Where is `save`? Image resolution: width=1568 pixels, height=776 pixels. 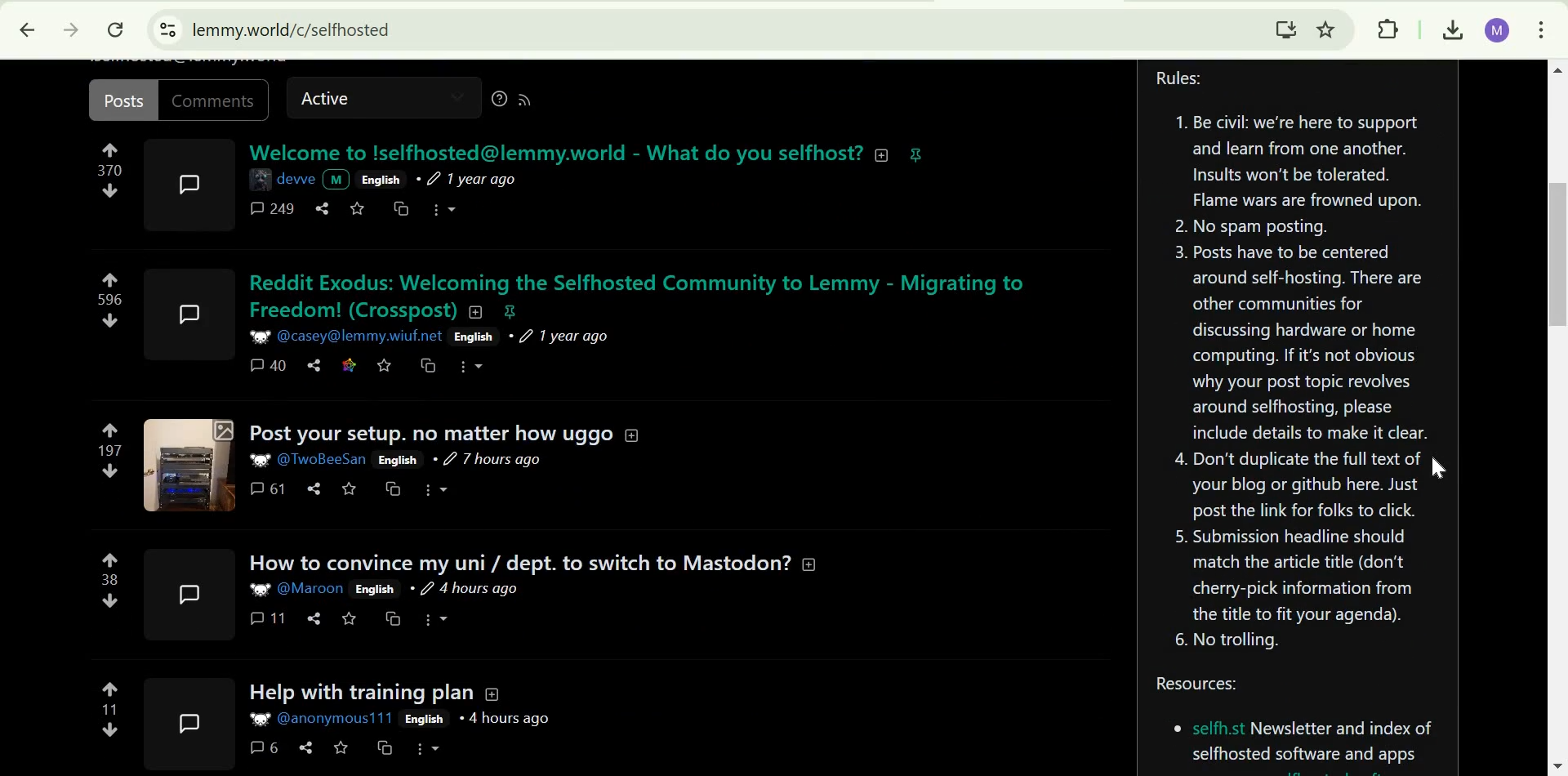
save is located at coordinates (341, 747).